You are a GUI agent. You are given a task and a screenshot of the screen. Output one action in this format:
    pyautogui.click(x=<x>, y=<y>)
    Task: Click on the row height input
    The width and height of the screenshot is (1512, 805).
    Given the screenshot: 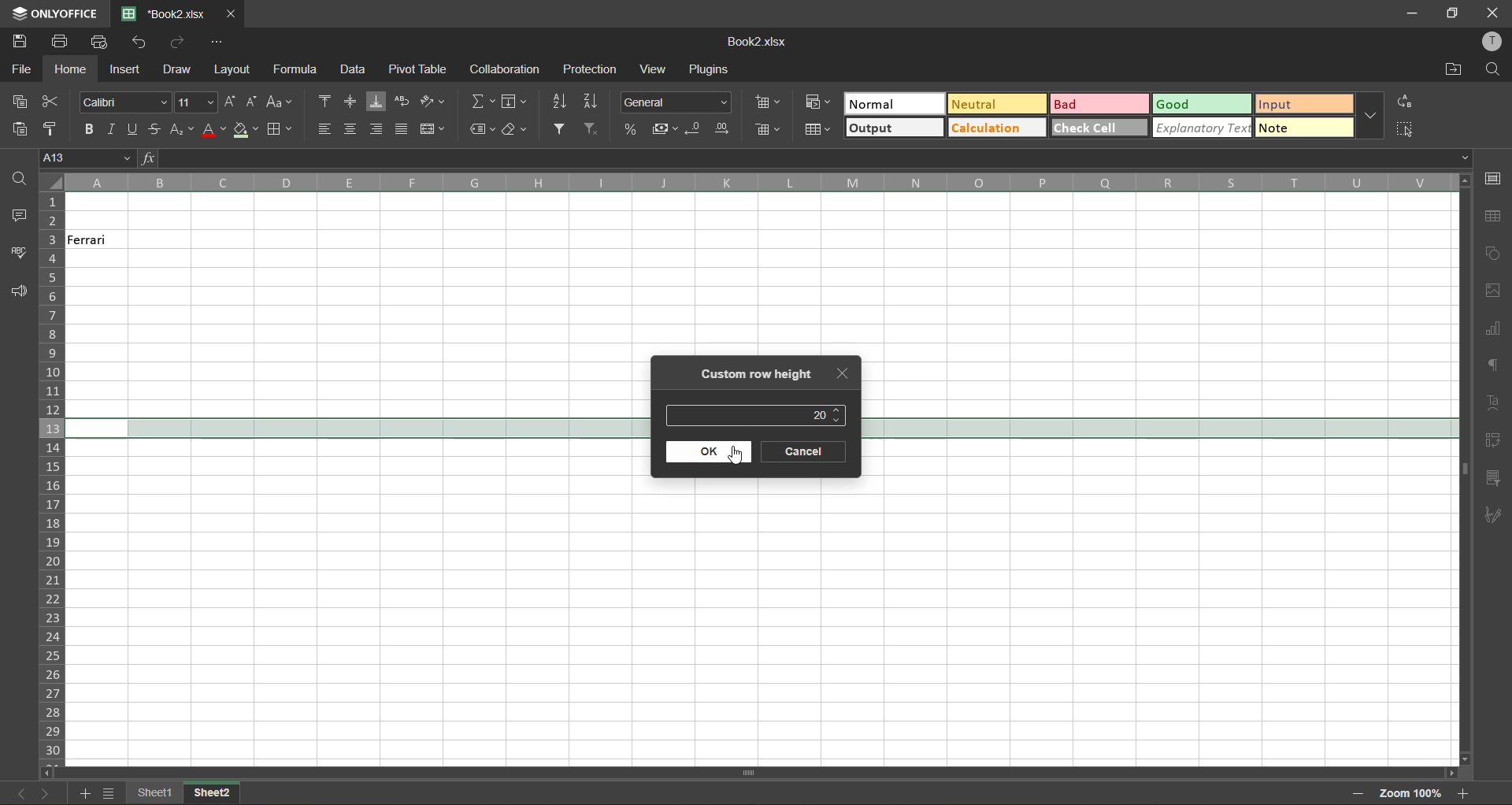 What is the action you would take?
    pyautogui.click(x=819, y=414)
    